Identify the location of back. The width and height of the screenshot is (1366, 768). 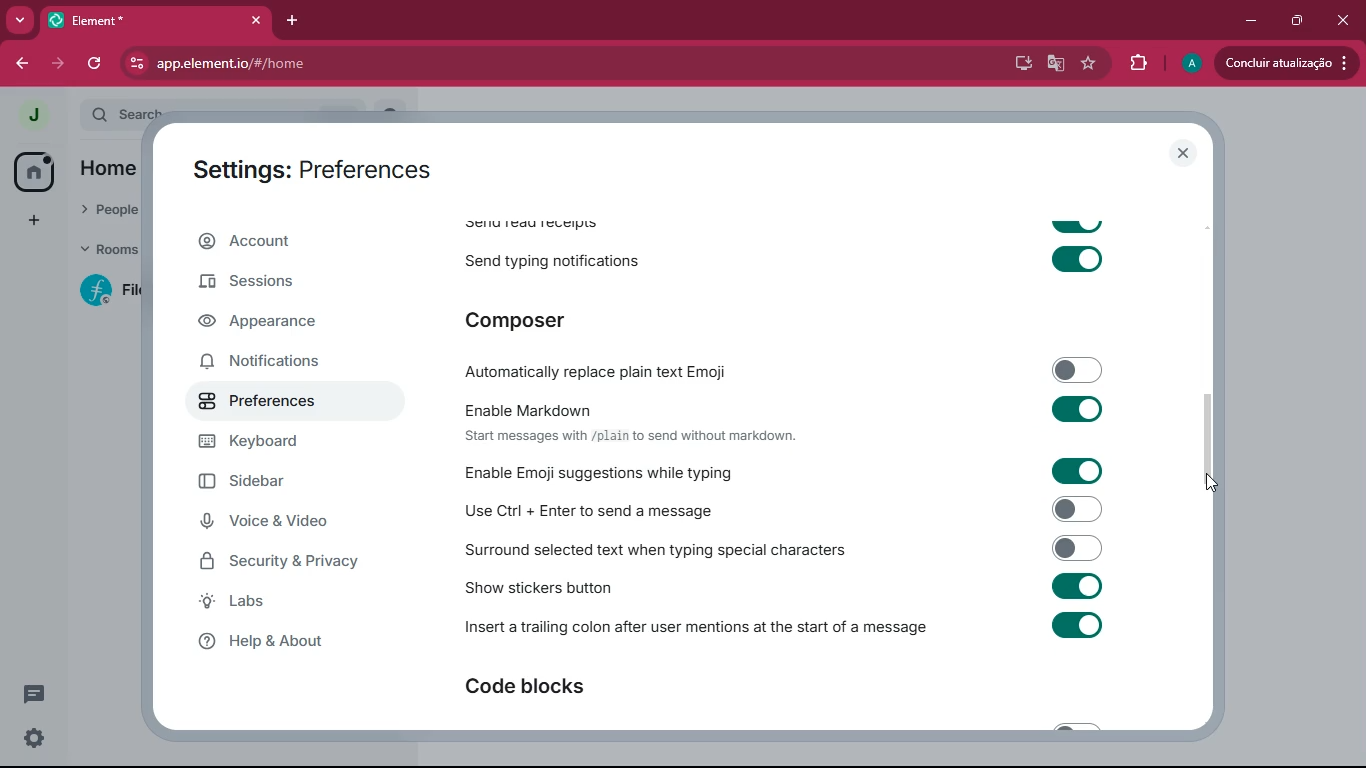
(22, 63).